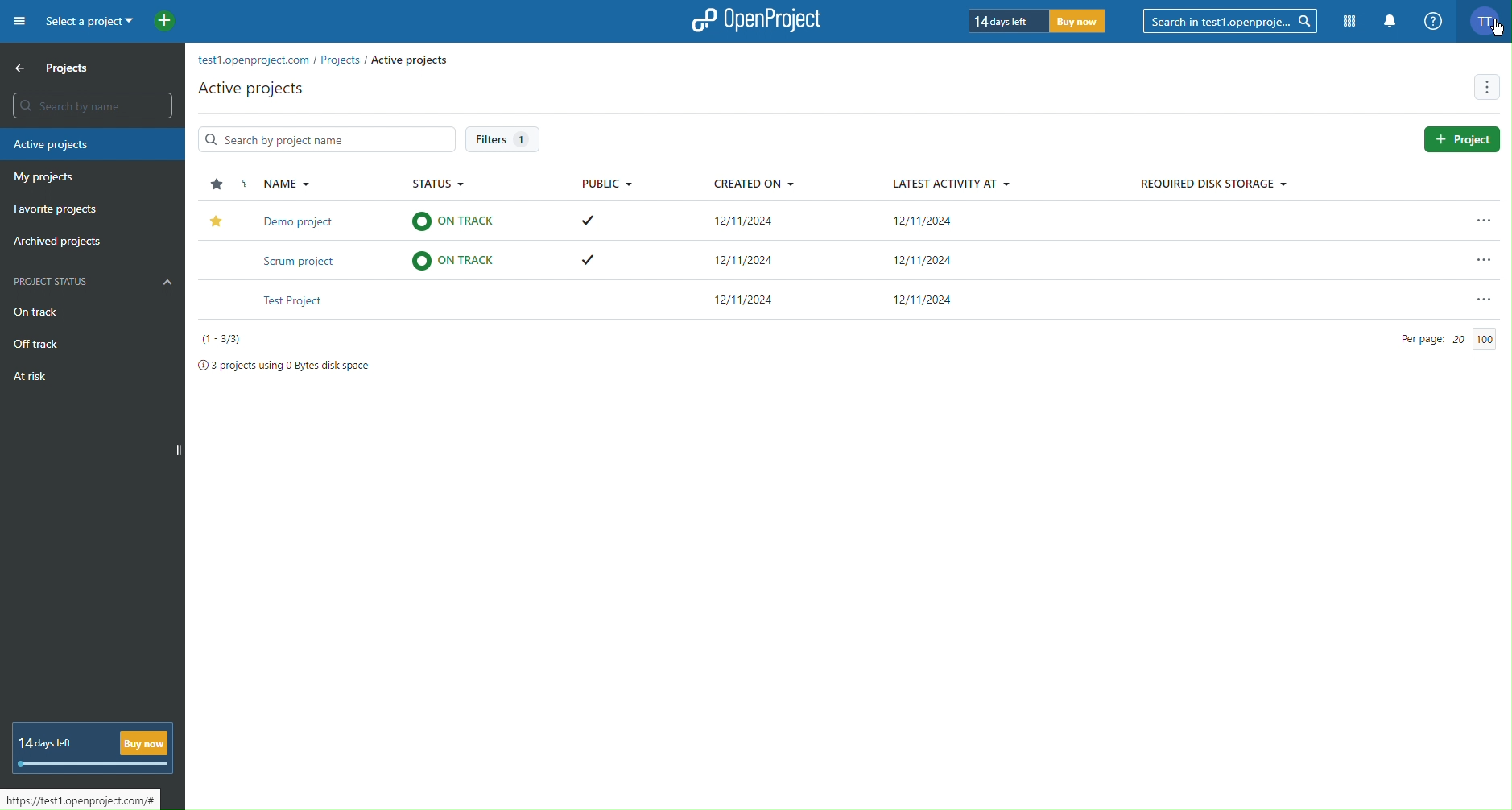  Describe the element at coordinates (1039, 19) in the screenshot. I see `14 days left` at that location.